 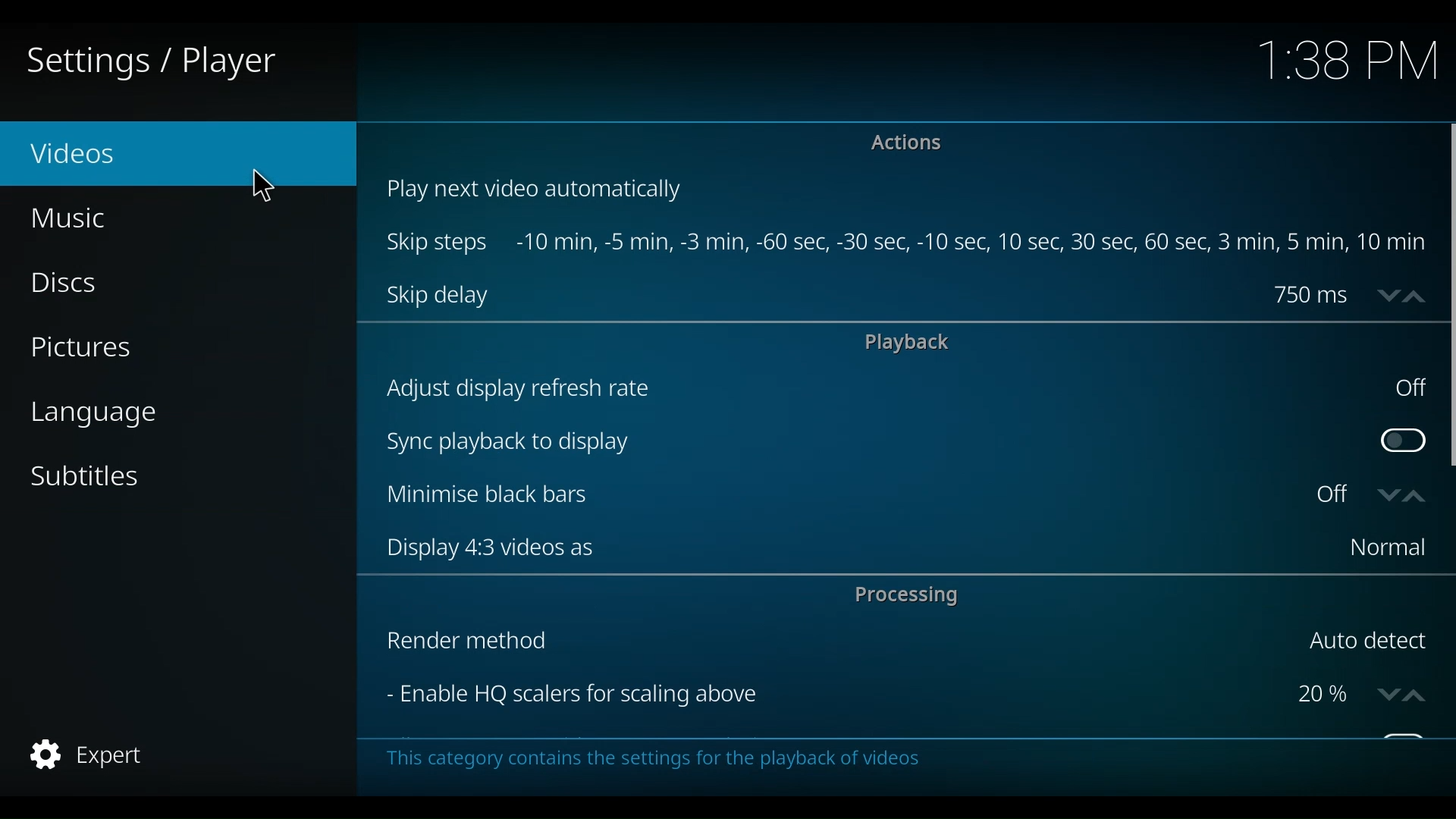 What do you see at coordinates (1447, 295) in the screenshot?
I see `Vertical Scrollbar` at bounding box center [1447, 295].